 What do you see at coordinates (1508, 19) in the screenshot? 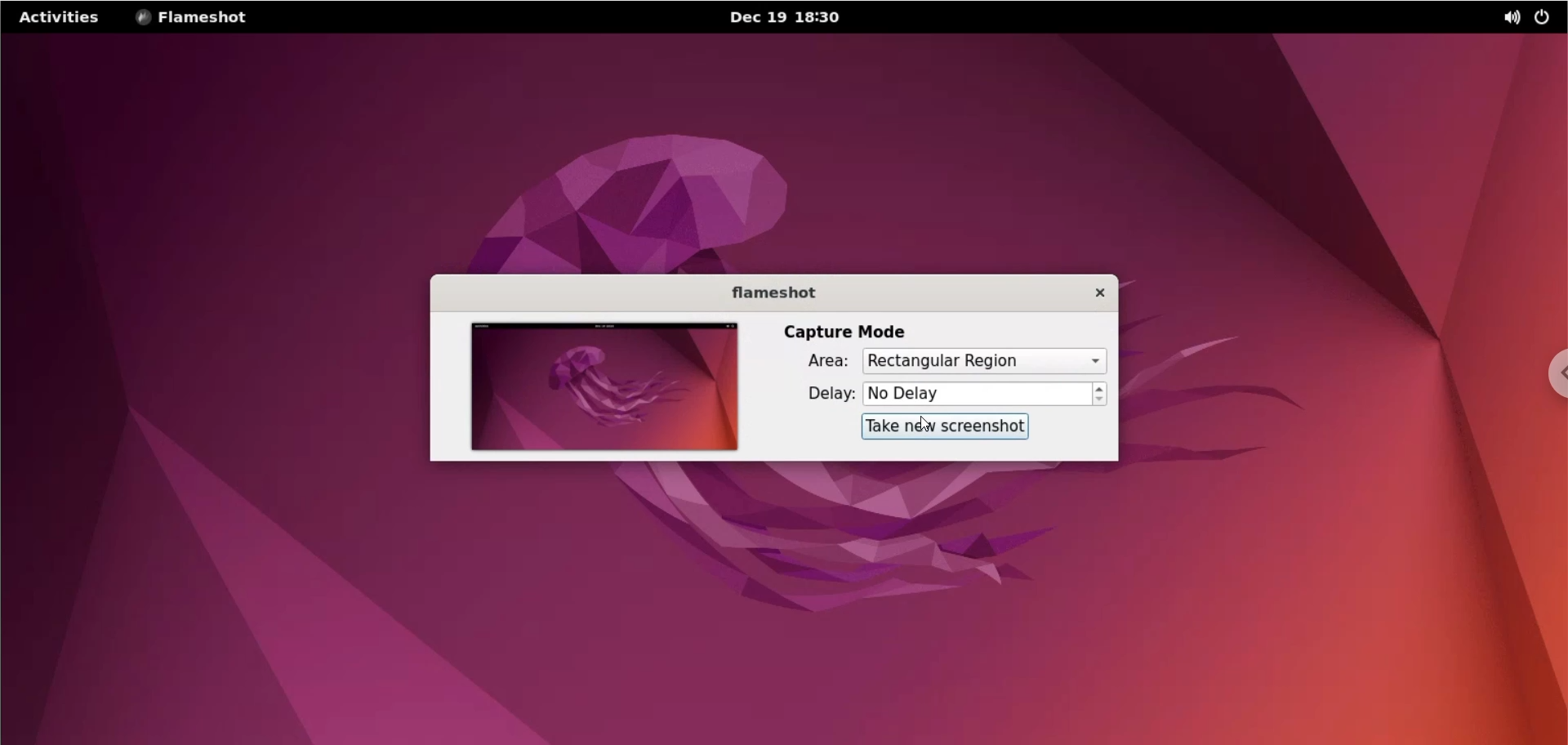
I see `sound options` at bounding box center [1508, 19].